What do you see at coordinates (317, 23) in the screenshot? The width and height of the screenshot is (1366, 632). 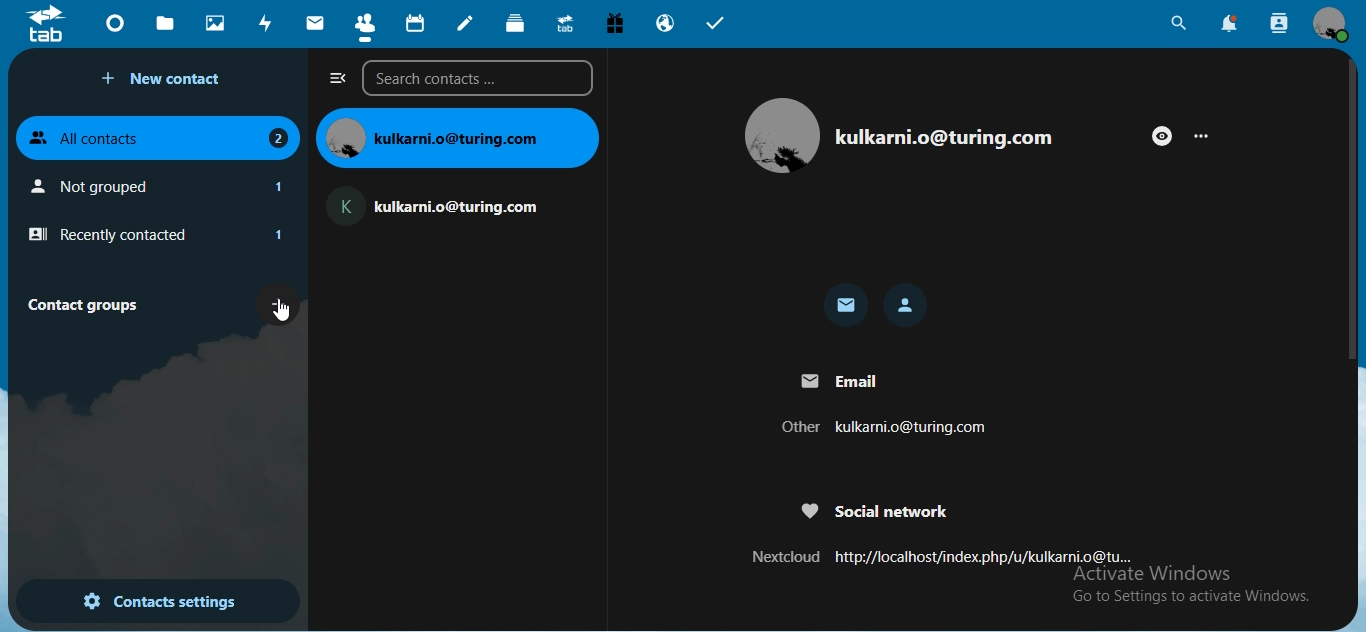 I see `mail` at bounding box center [317, 23].